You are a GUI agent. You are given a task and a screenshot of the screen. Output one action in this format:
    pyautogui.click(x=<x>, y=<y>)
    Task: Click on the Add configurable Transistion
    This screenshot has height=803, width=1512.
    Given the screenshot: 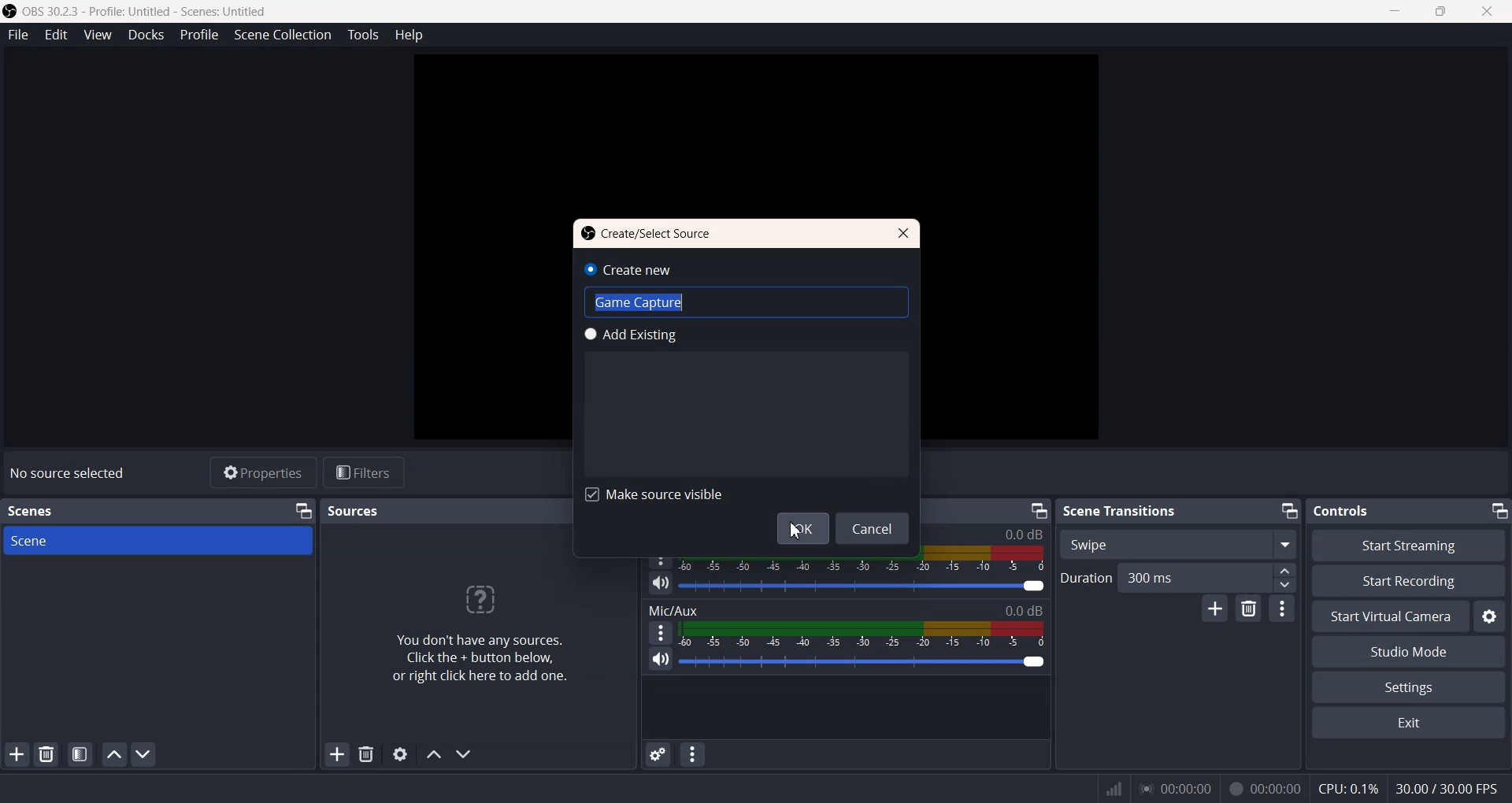 What is the action you would take?
    pyautogui.click(x=1215, y=609)
    